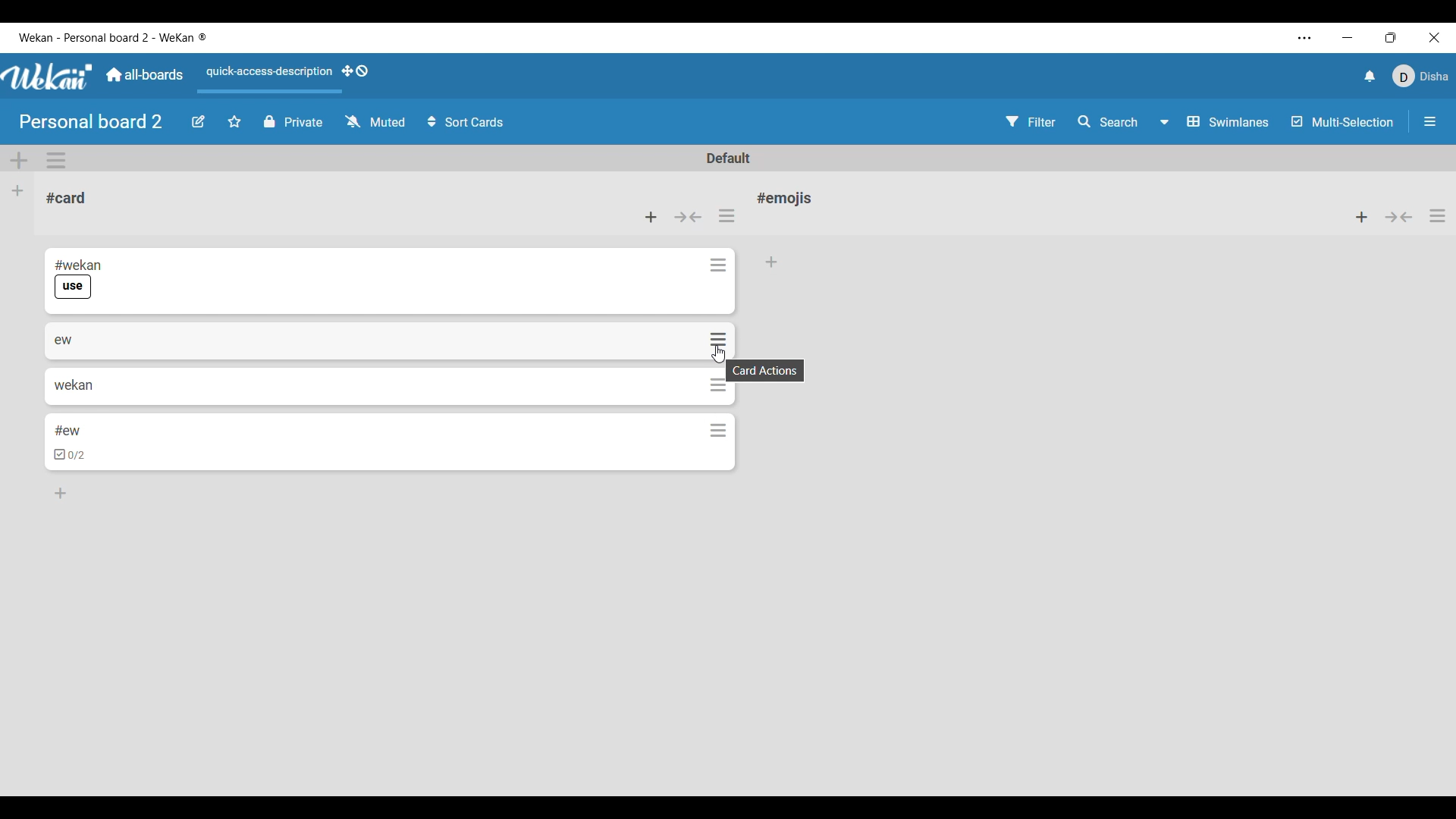  What do you see at coordinates (56, 160) in the screenshot?
I see `Swimlane actions` at bounding box center [56, 160].